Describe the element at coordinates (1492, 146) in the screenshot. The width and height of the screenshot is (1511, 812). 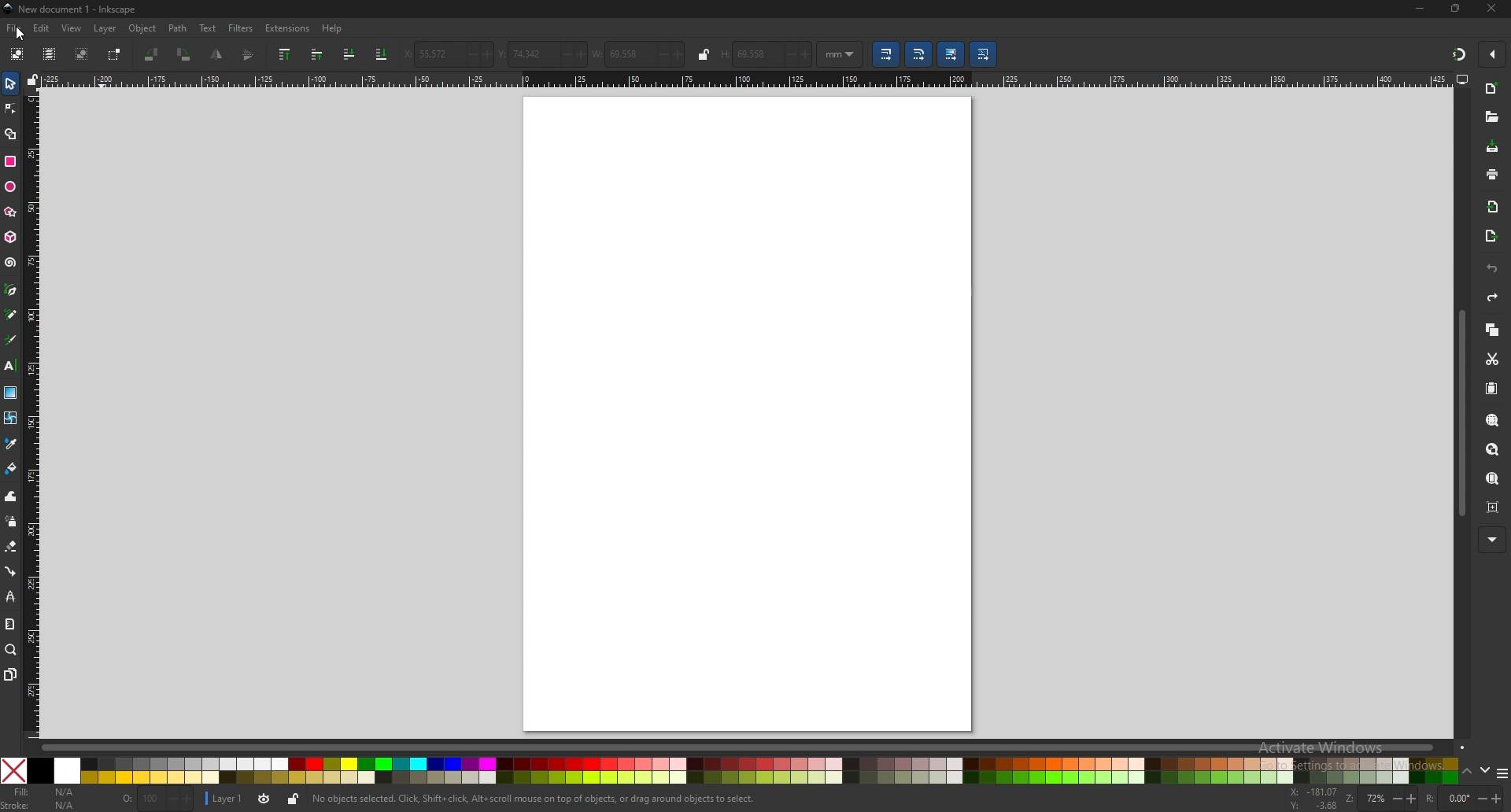
I see `save` at that location.